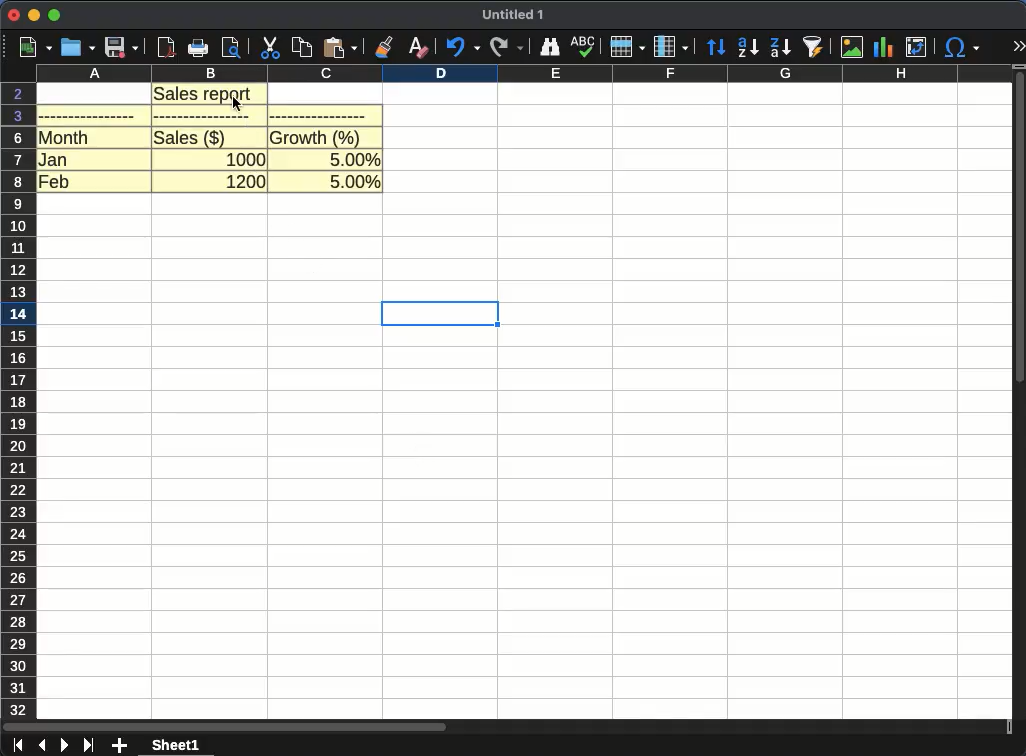 This screenshot has height=756, width=1026. Describe the element at coordinates (33, 16) in the screenshot. I see `minimize` at that location.